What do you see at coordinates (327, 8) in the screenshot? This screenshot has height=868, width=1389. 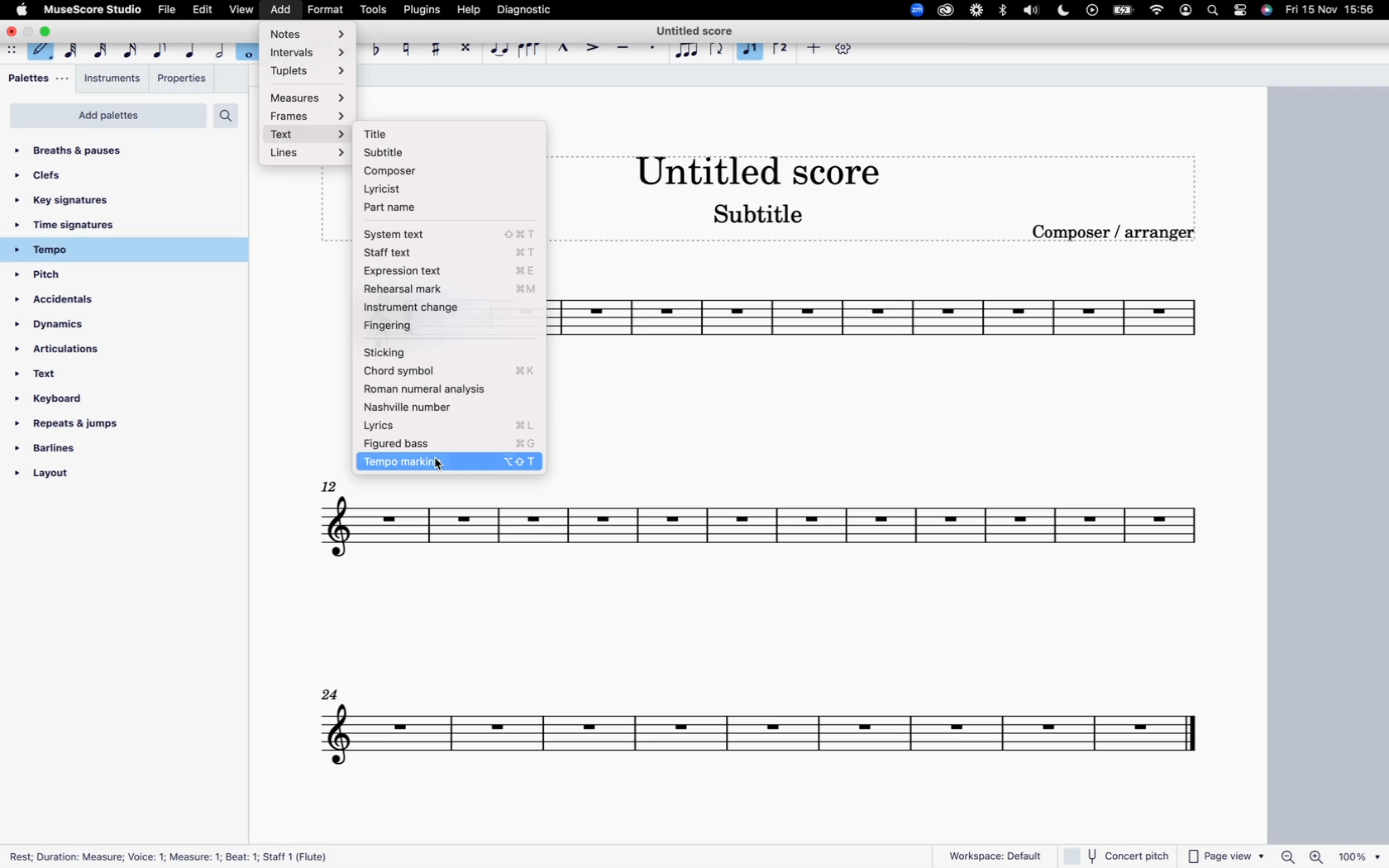 I see `format` at bounding box center [327, 8].